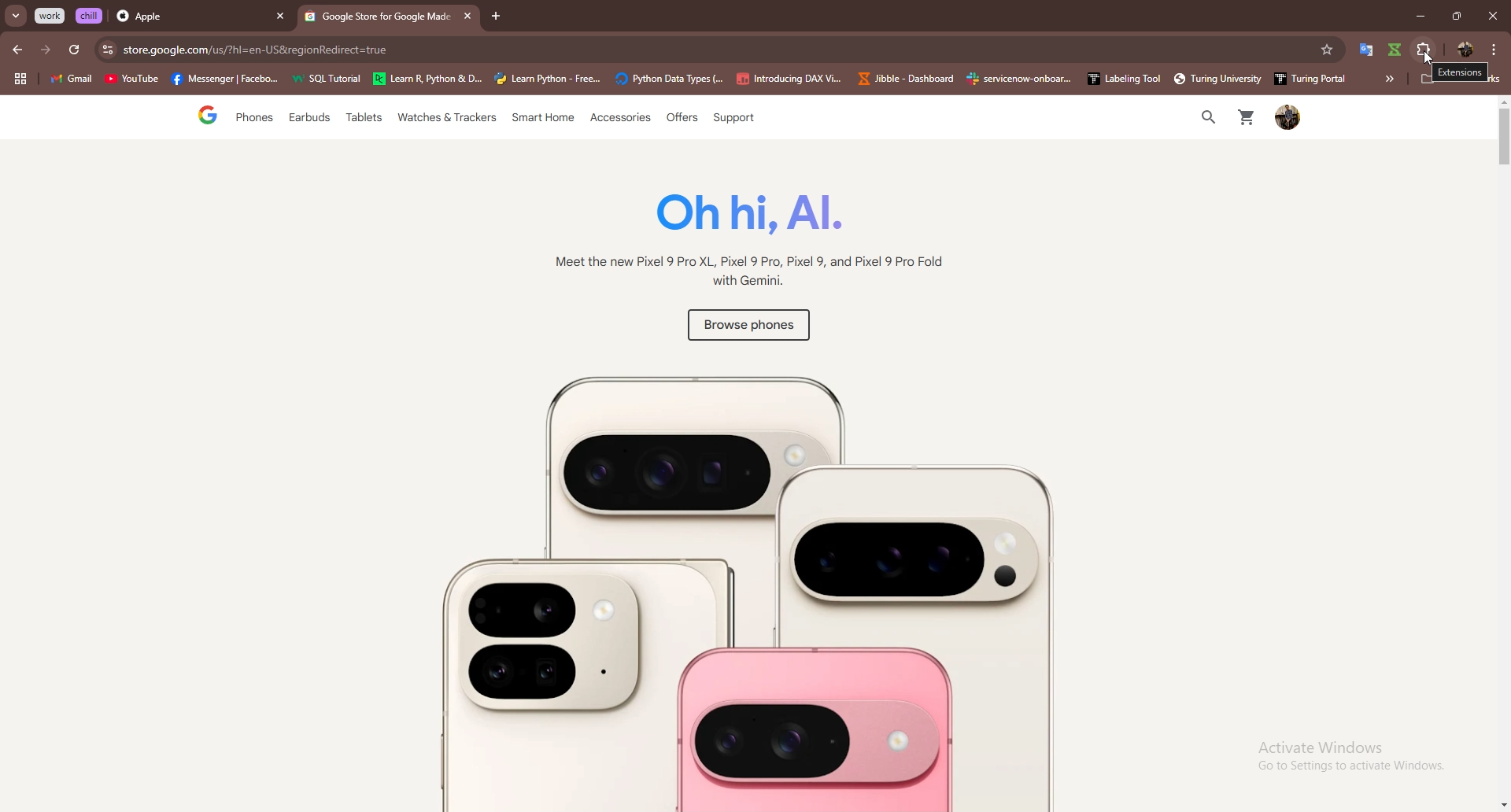  I want to click on work, so click(51, 16).